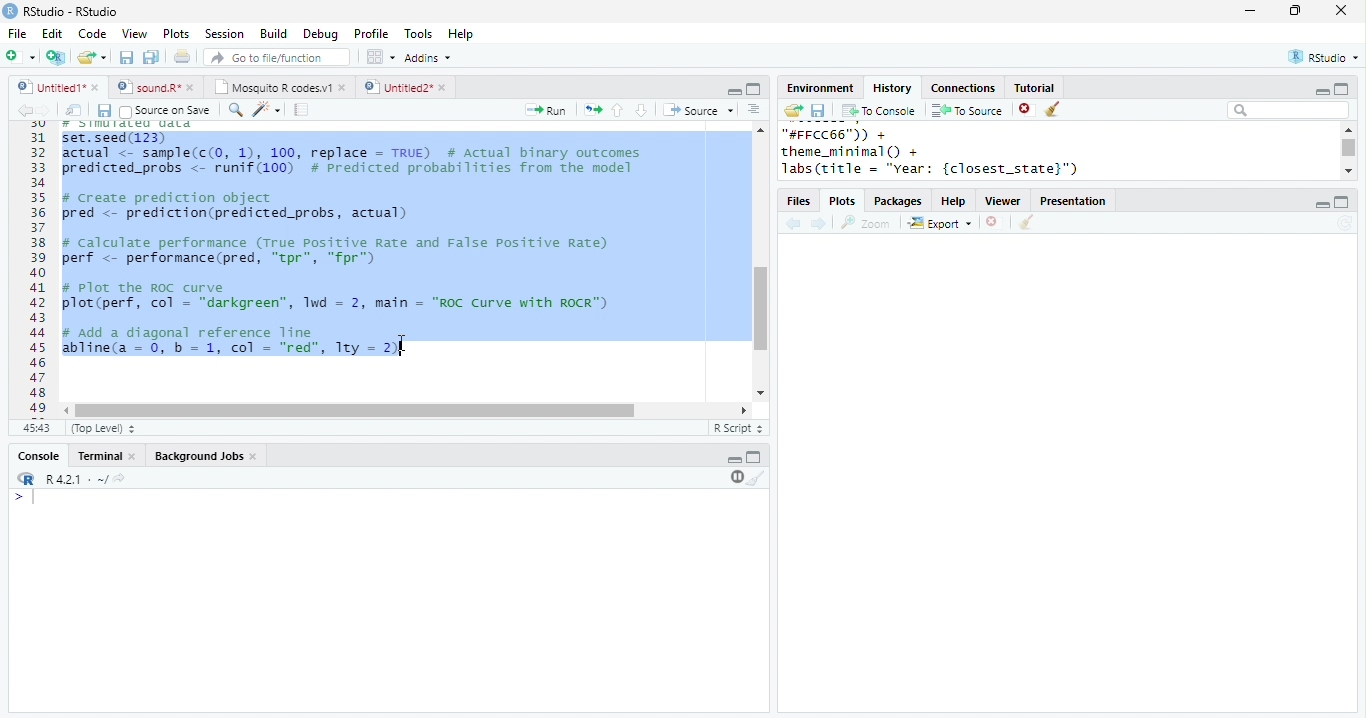 This screenshot has height=718, width=1366. Describe the element at coordinates (397, 86) in the screenshot. I see `Untitled 2` at that location.